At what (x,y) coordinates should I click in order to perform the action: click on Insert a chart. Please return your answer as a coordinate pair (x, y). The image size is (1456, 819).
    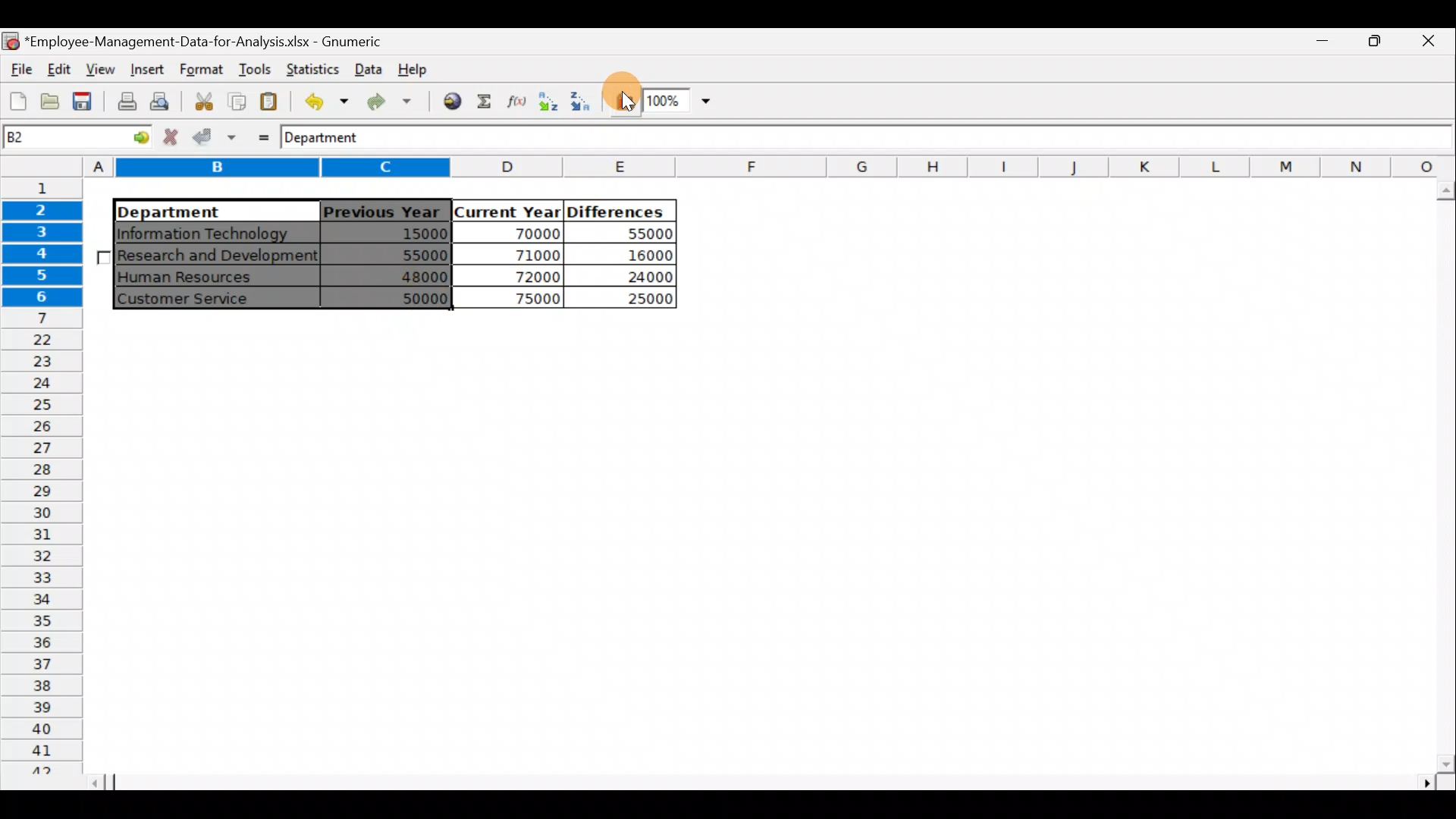
    Looking at the image, I should click on (623, 102).